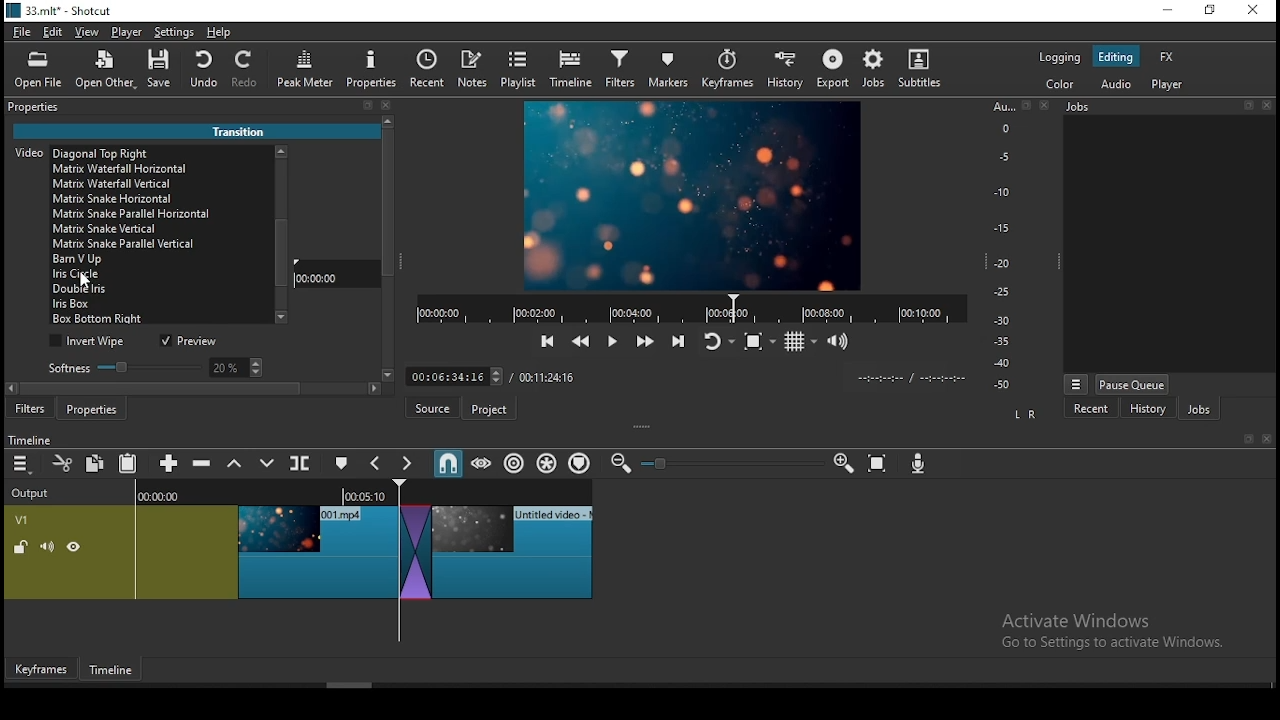  I want to click on transition option, so click(159, 306).